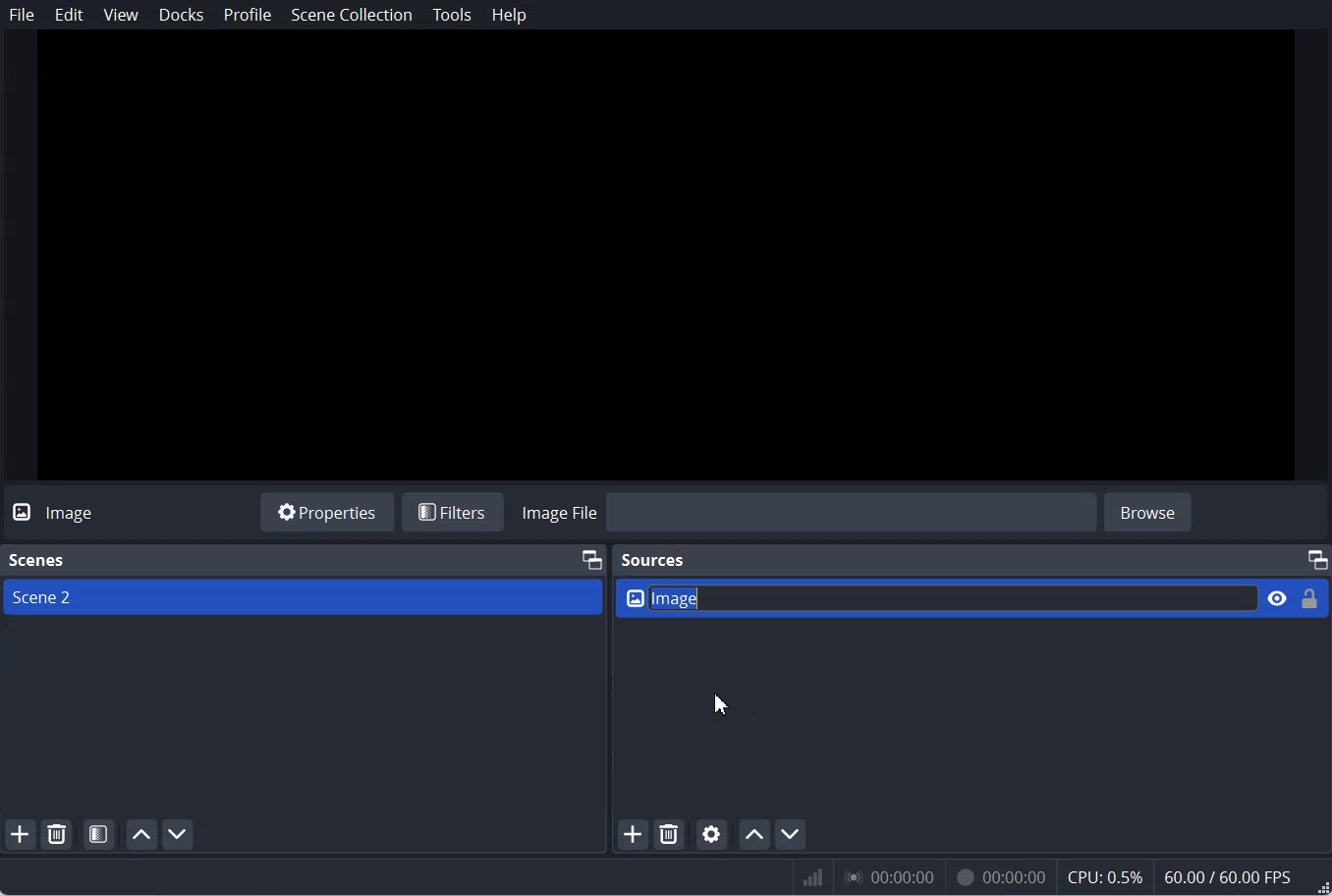 This screenshot has height=896, width=1332. Describe the element at coordinates (453, 16) in the screenshot. I see `Tools` at that location.